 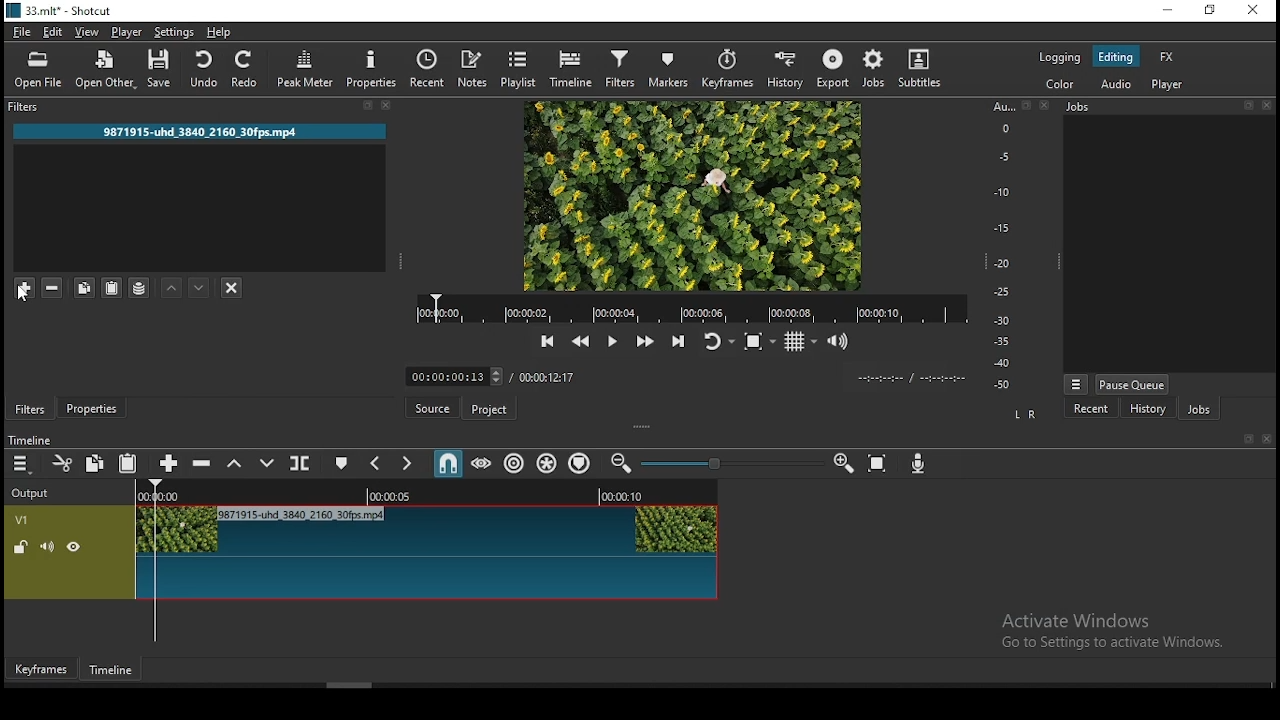 What do you see at coordinates (1118, 84) in the screenshot?
I see `audio` at bounding box center [1118, 84].